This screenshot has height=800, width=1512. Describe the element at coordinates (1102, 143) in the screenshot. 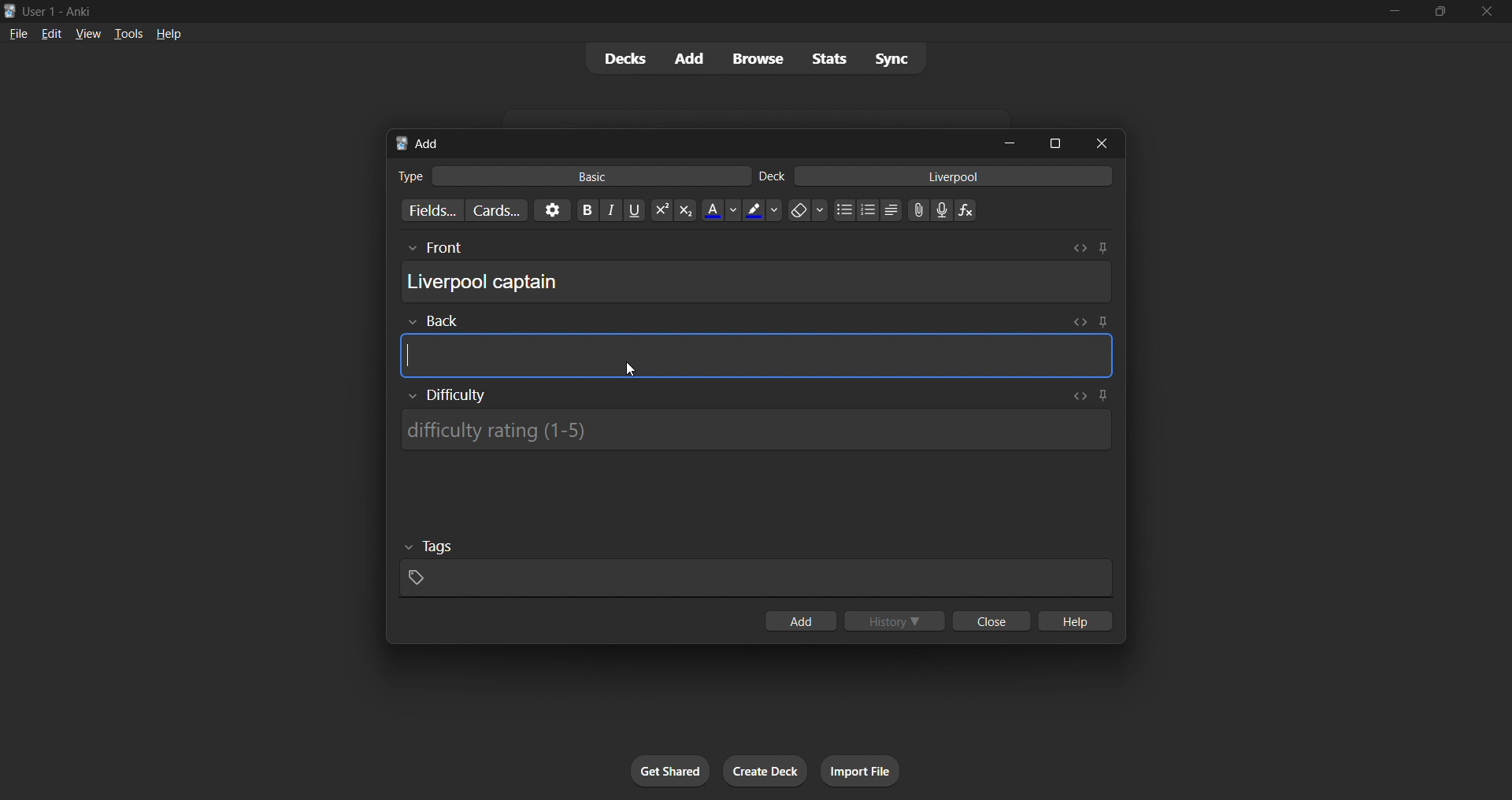

I see `close` at that location.